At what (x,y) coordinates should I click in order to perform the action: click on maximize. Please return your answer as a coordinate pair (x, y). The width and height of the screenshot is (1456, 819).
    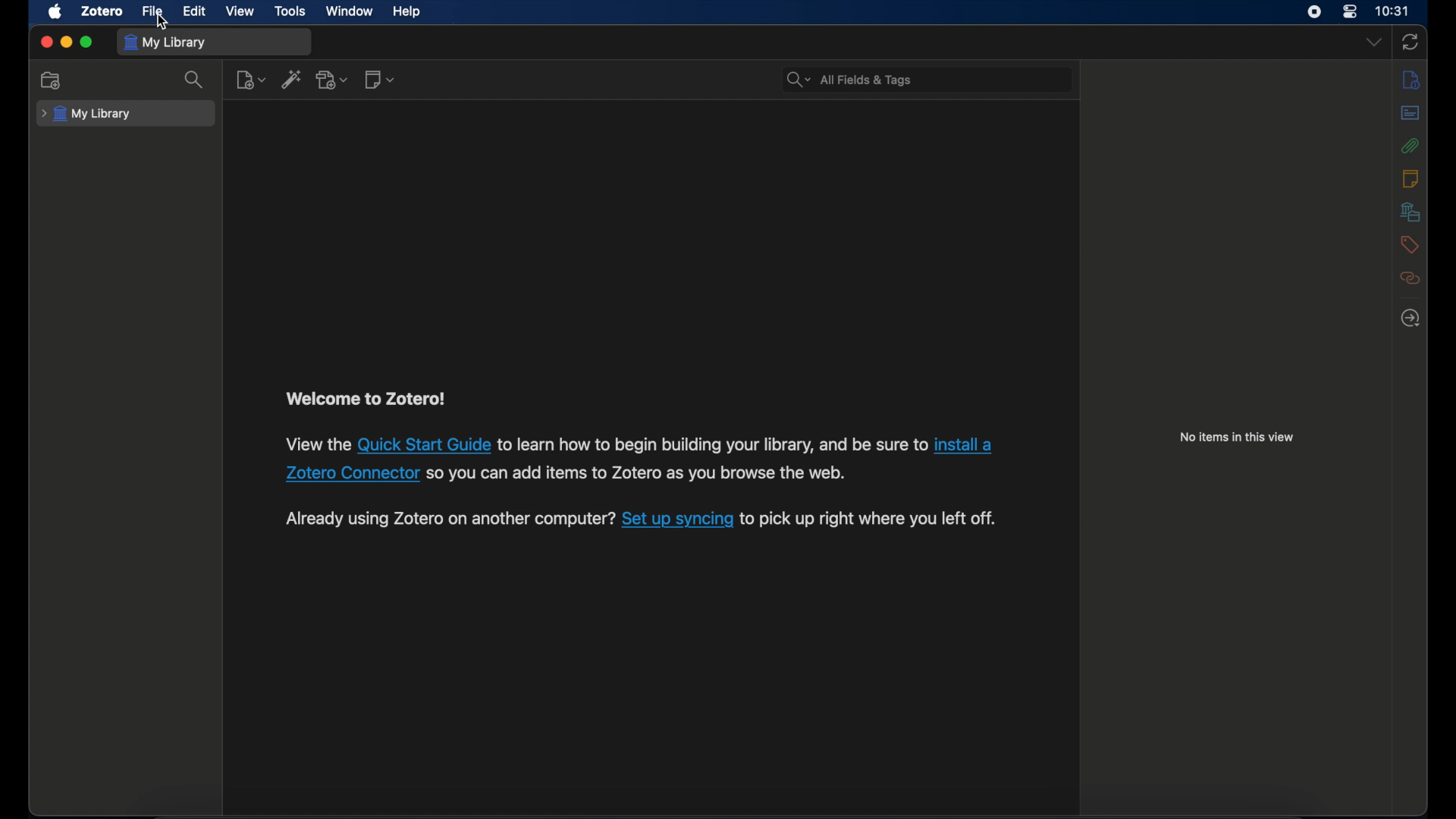
    Looking at the image, I should click on (86, 43).